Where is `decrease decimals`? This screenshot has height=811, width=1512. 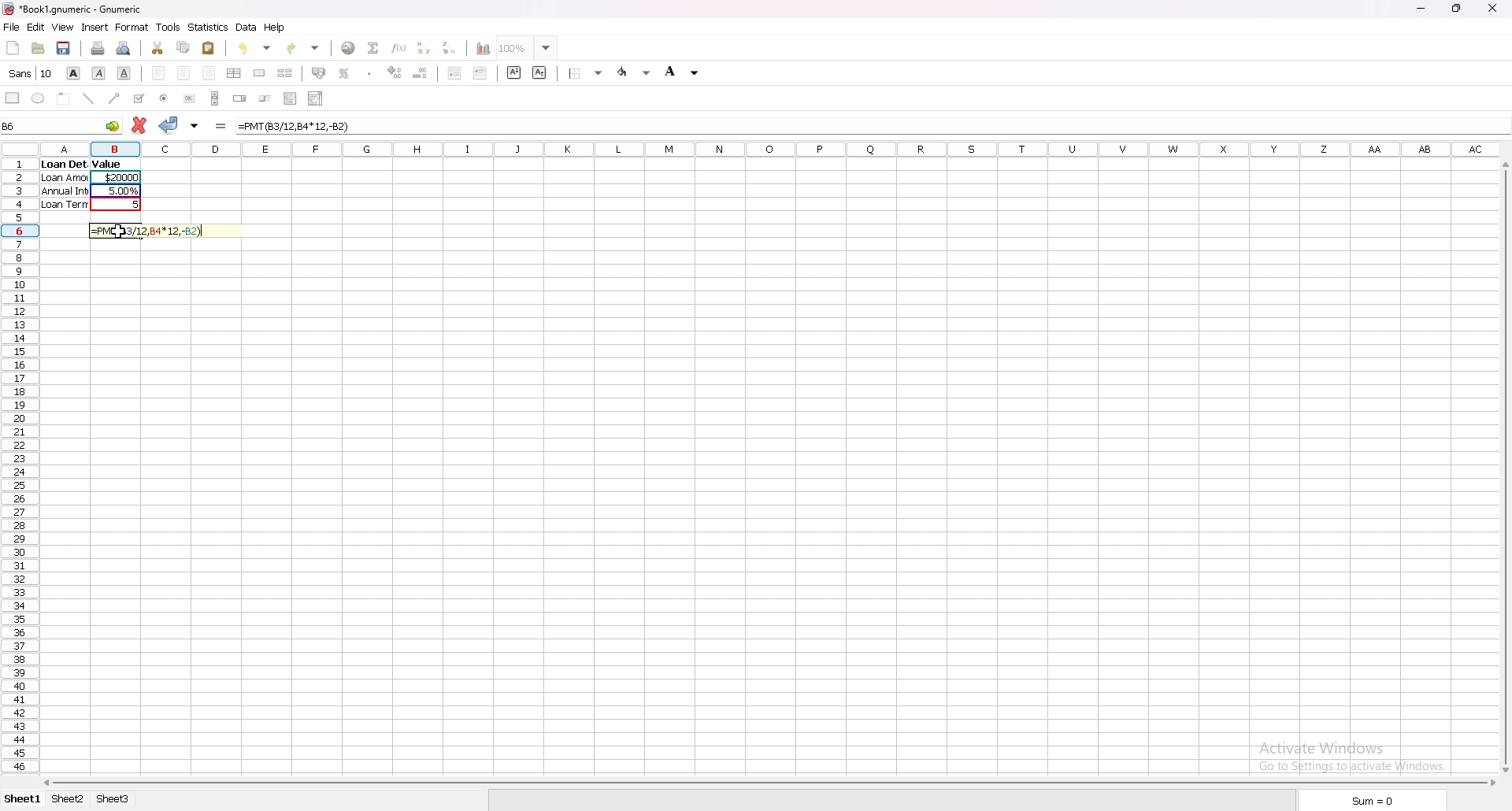 decrease decimals is located at coordinates (421, 73).